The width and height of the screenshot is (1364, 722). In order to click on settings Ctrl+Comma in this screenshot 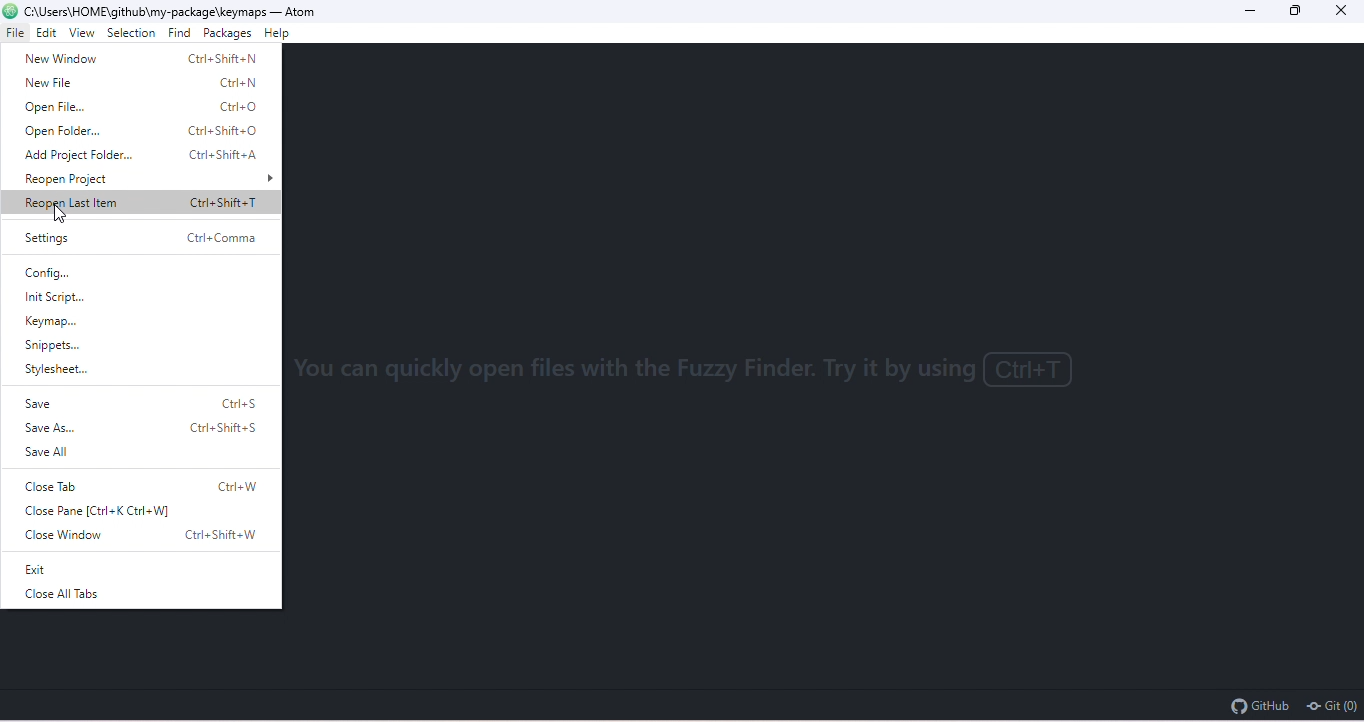, I will do `click(139, 238)`.